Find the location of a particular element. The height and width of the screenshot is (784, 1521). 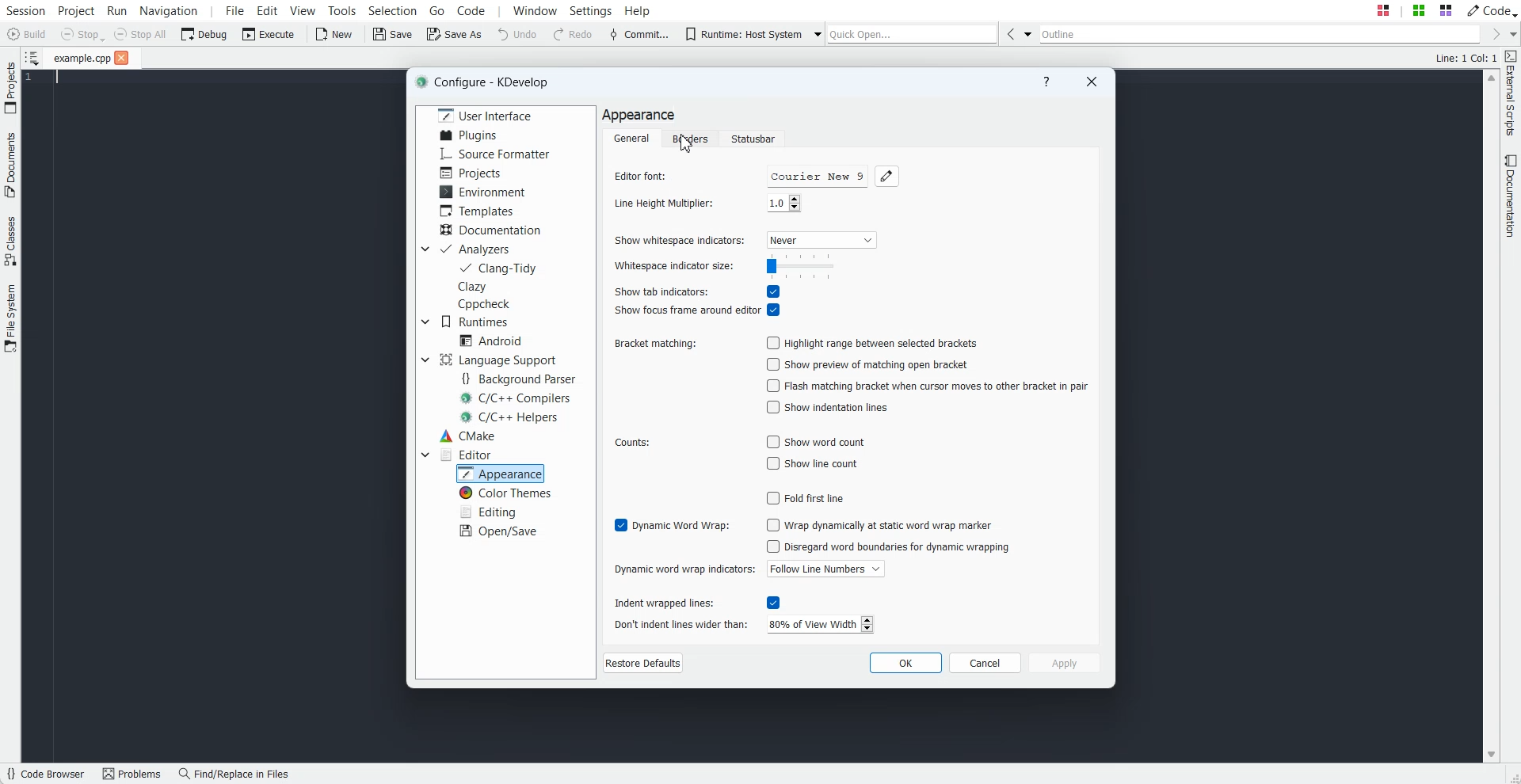

Find/Replace in Files is located at coordinates (235, 774).